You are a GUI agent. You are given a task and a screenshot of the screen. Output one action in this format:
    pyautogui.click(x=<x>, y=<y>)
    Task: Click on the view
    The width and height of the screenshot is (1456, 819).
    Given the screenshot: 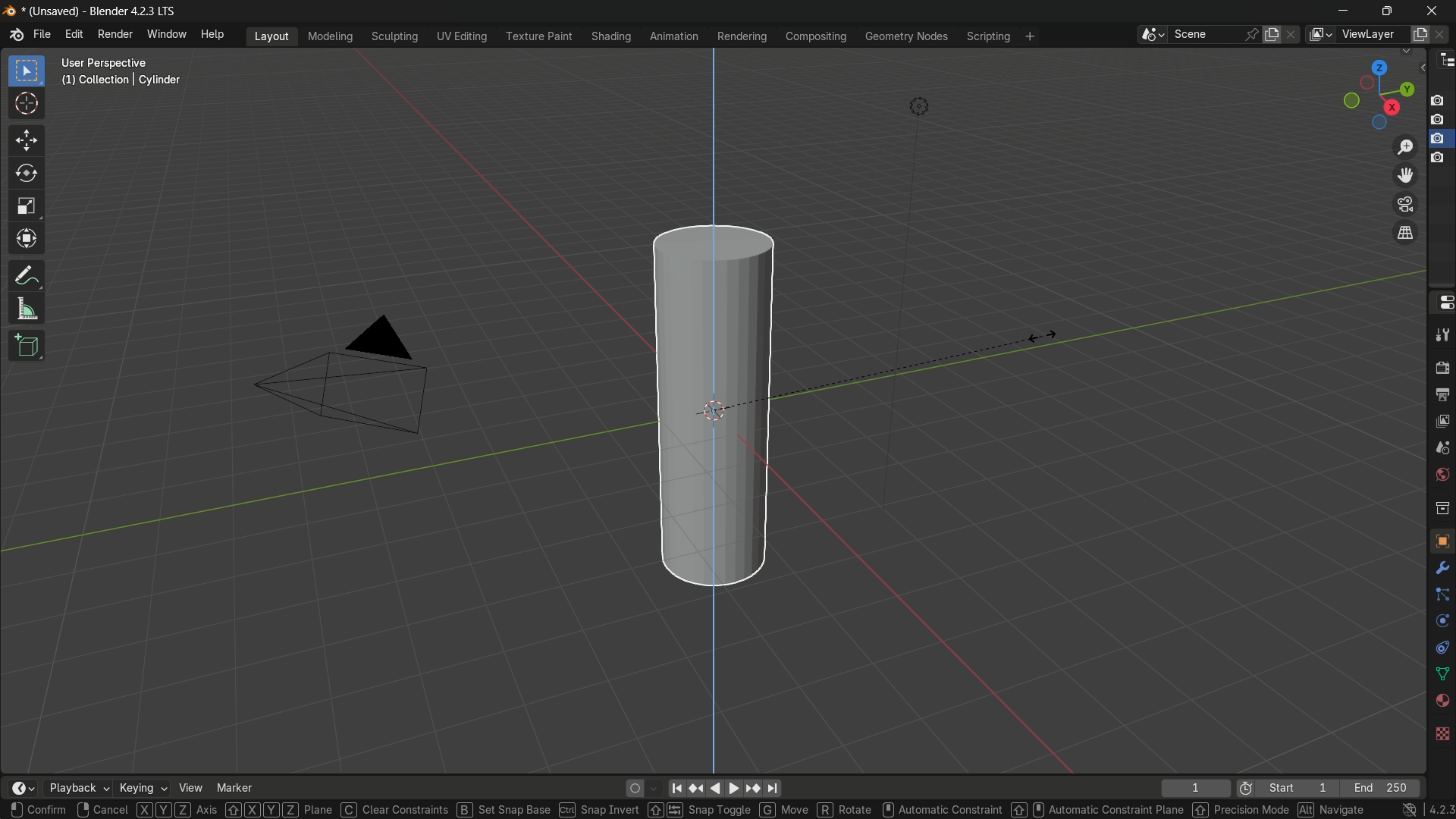 What is the action you would take?
    pyautogui.click(x=190, y=788)
    